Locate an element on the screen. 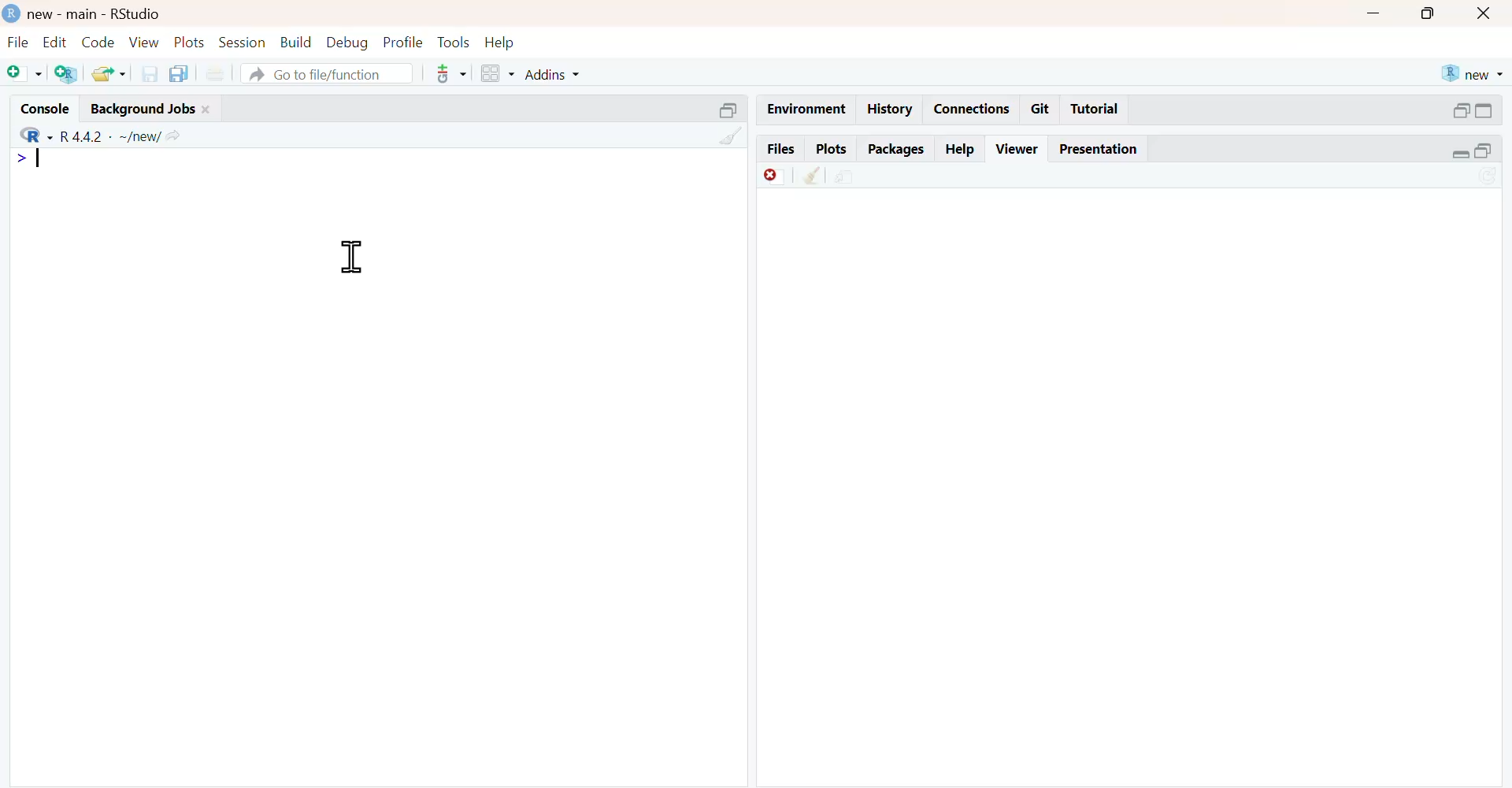 This screenshot has width=1512, height=788. history is located at coordinates (891, 108).